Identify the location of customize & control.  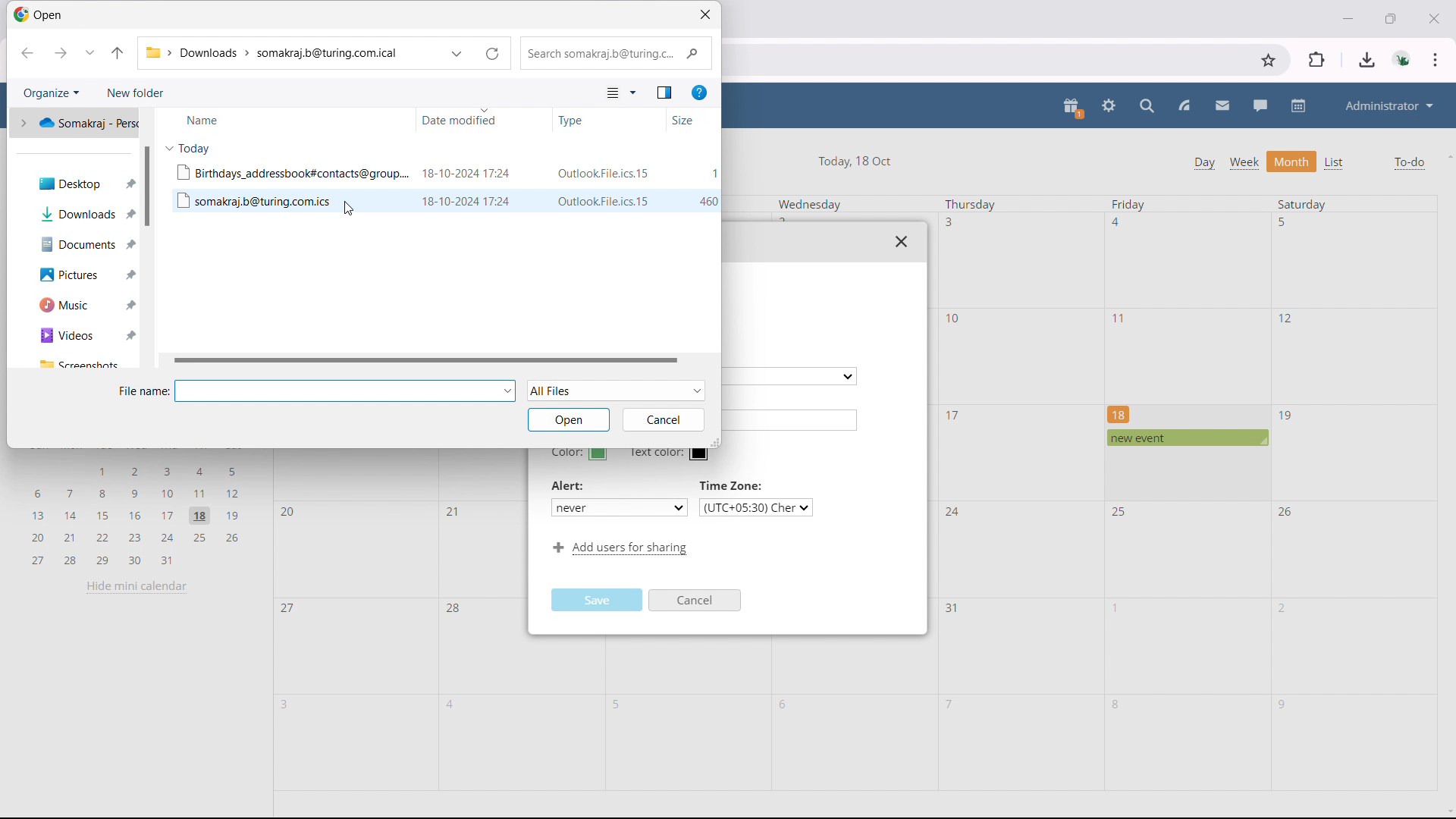
(1436, 60).